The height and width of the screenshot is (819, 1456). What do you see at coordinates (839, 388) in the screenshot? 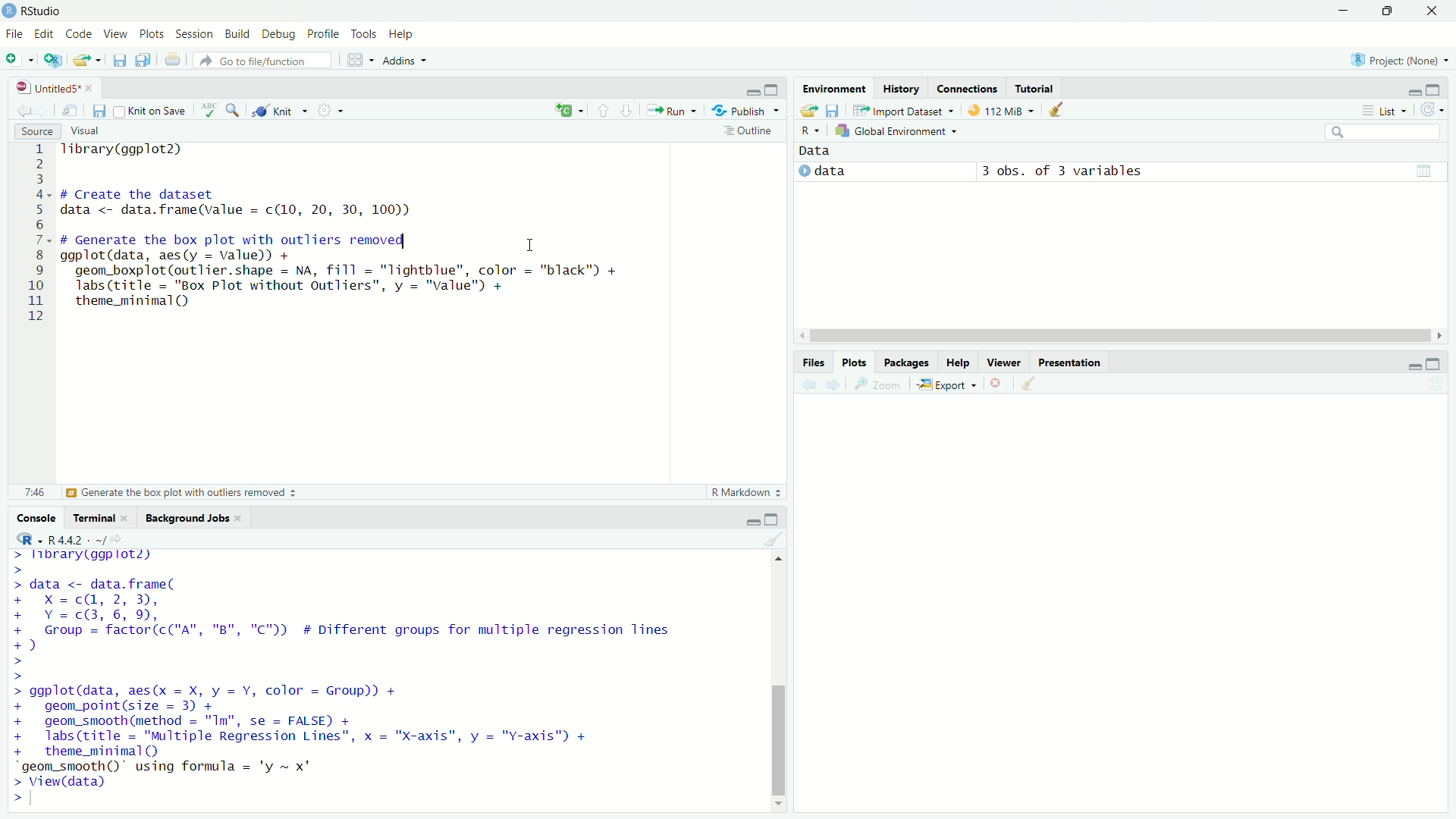
I see `next` at bounding box center [839, 388].